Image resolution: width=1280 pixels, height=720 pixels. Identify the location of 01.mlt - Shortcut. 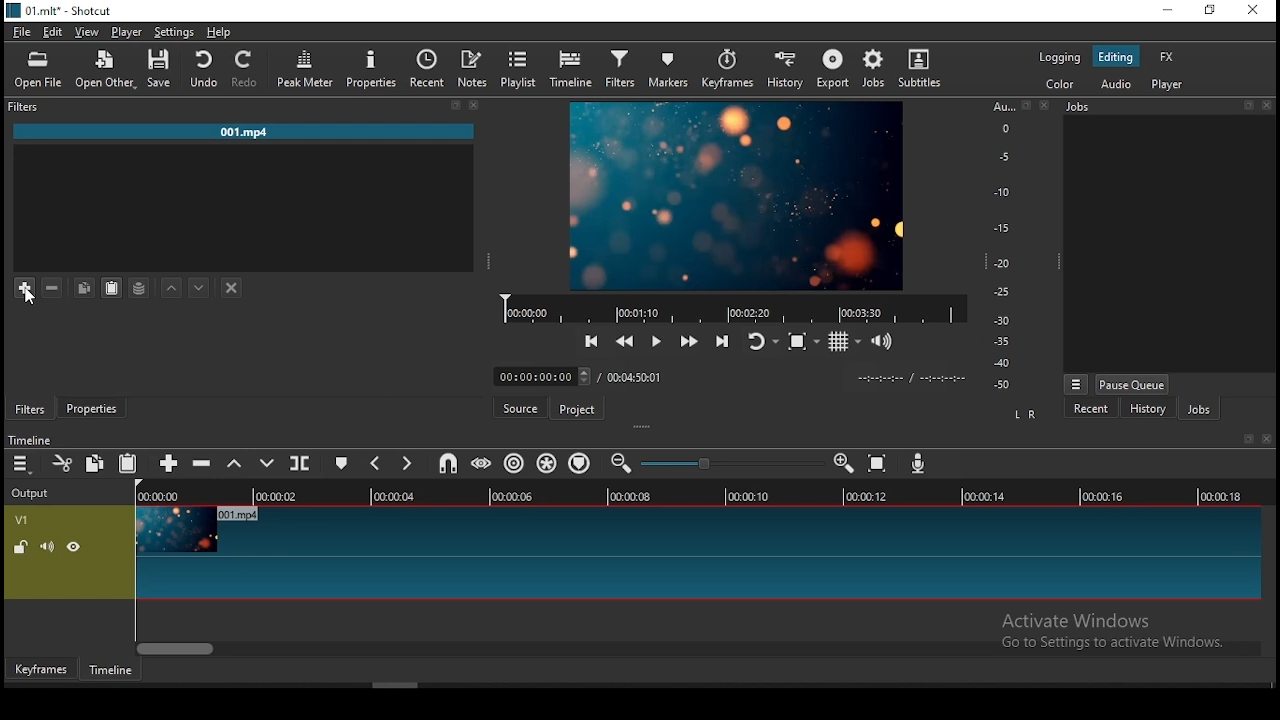
(60, 10).